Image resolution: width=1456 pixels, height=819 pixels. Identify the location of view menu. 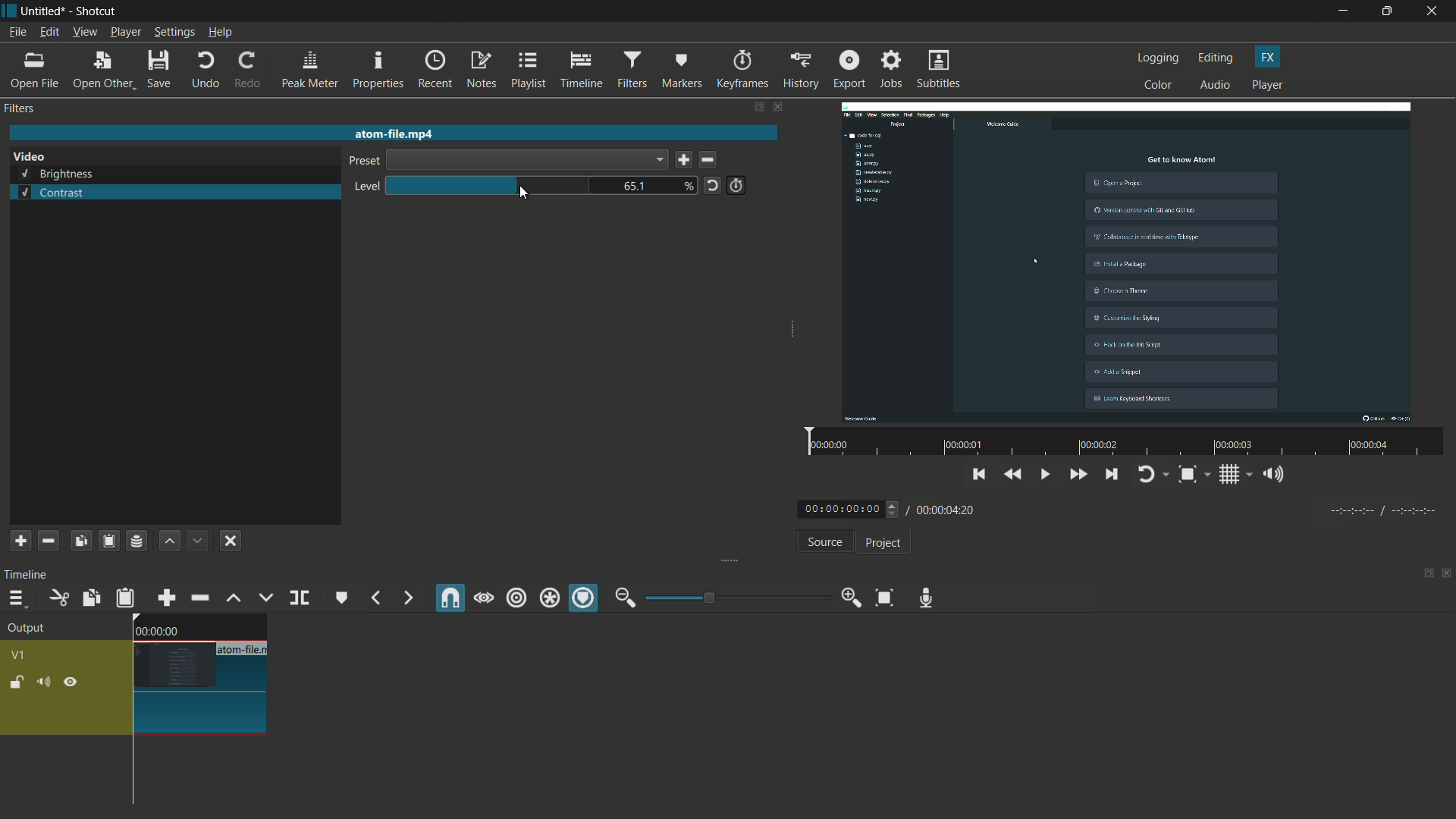
(84, 32).